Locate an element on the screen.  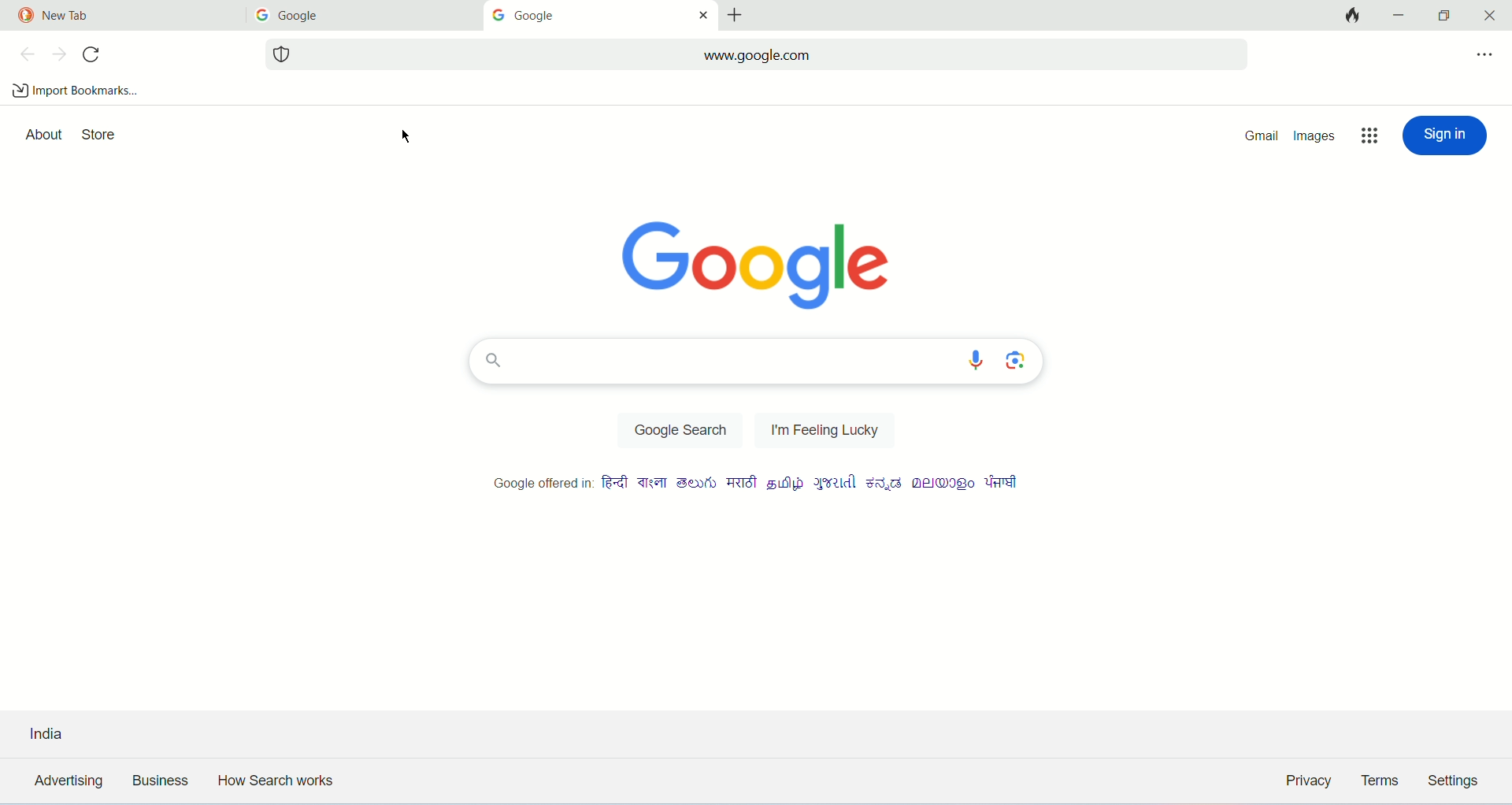
google tab is located at coordinates (573, 18).